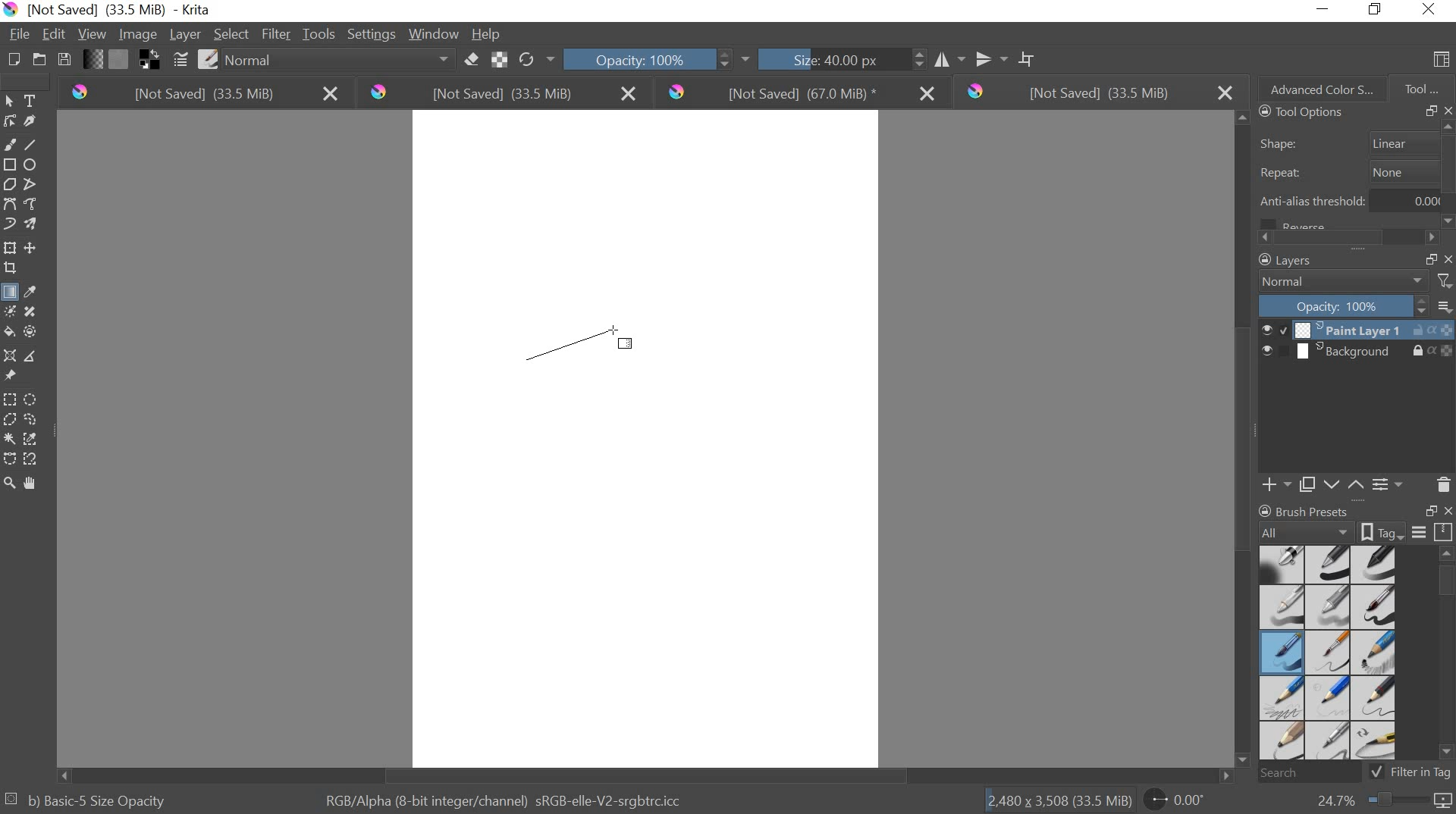  I want to click on measurements, so click(35, 355).